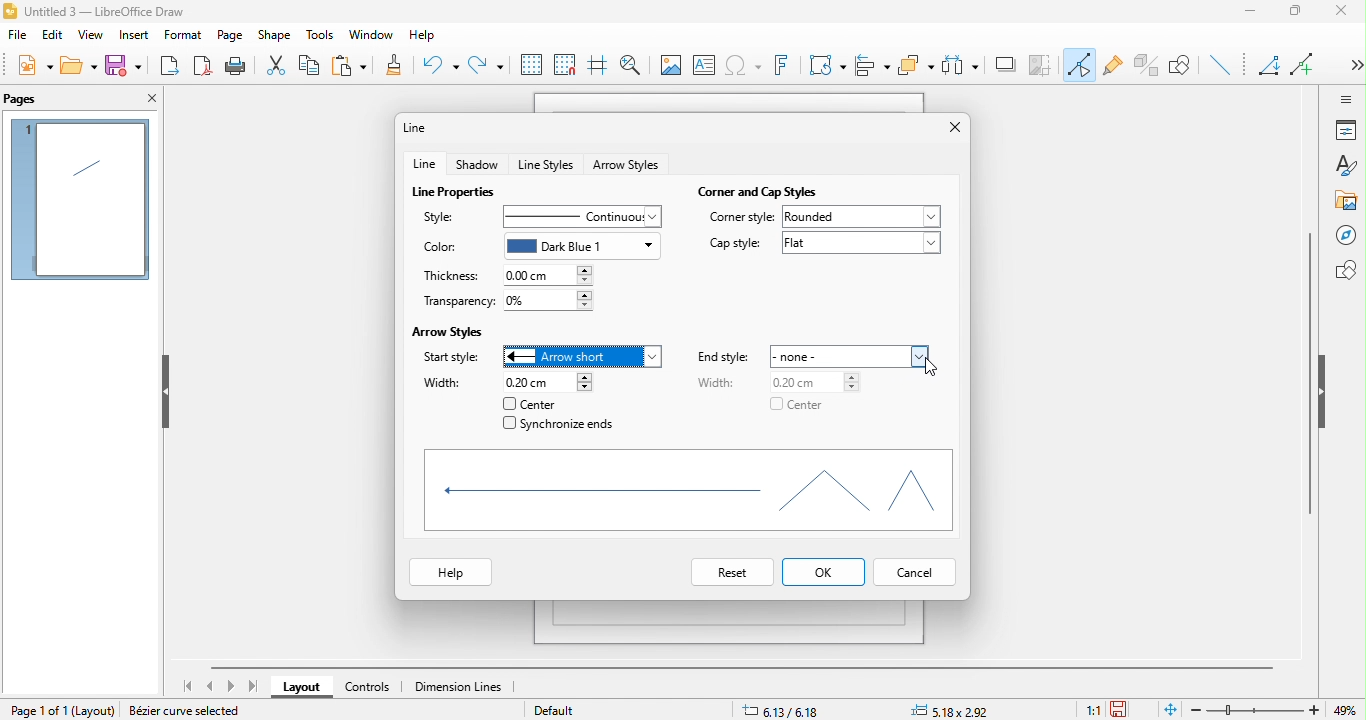 The height and width of the screenshot is (720, 1366). What do you see at coordinates (1147, 64) in the screenshot?
I see `toggle extrusion` at bounding box center [1147, 64].